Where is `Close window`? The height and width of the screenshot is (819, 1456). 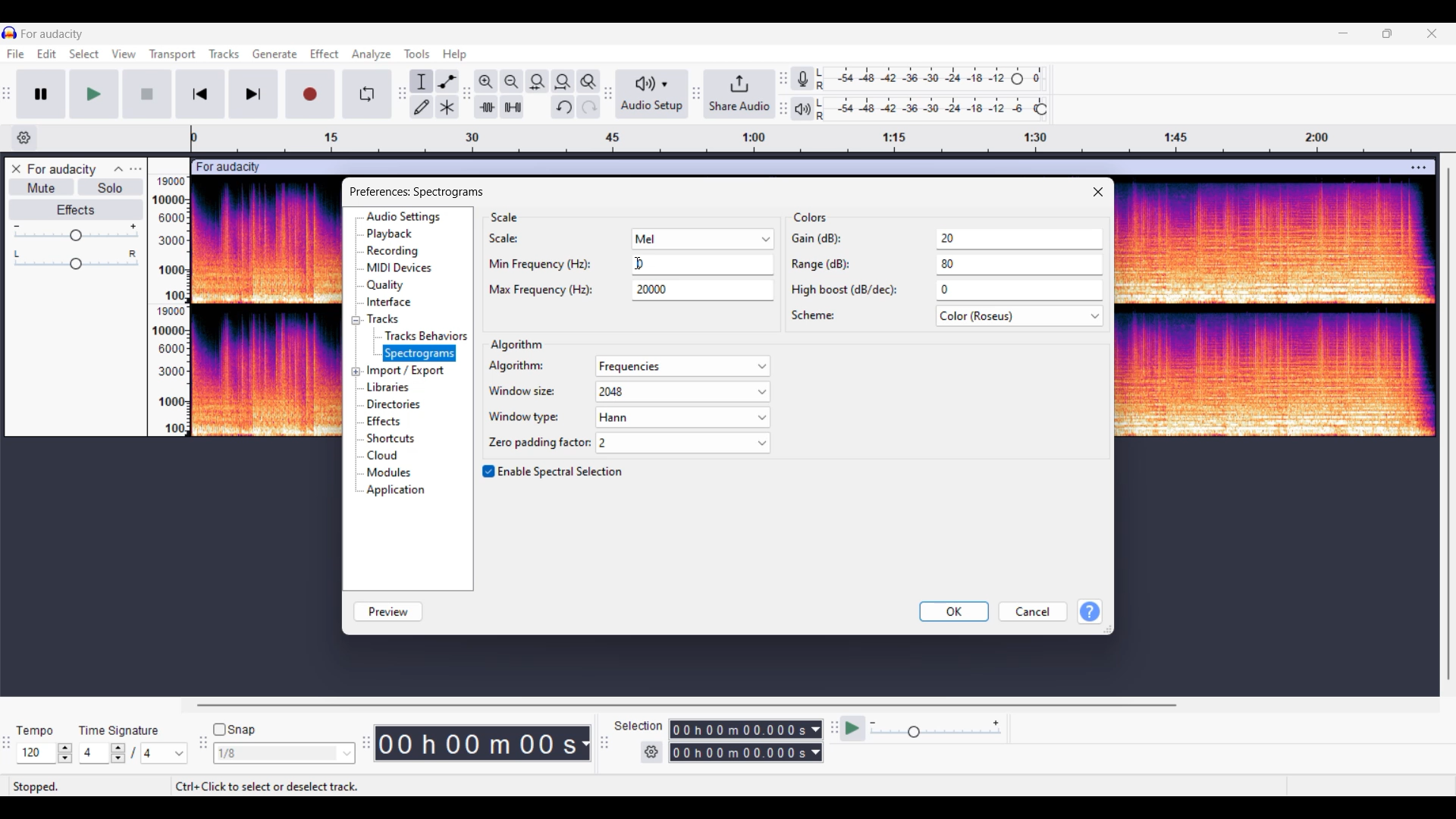 Close window is located at coordinates (1098, 192).